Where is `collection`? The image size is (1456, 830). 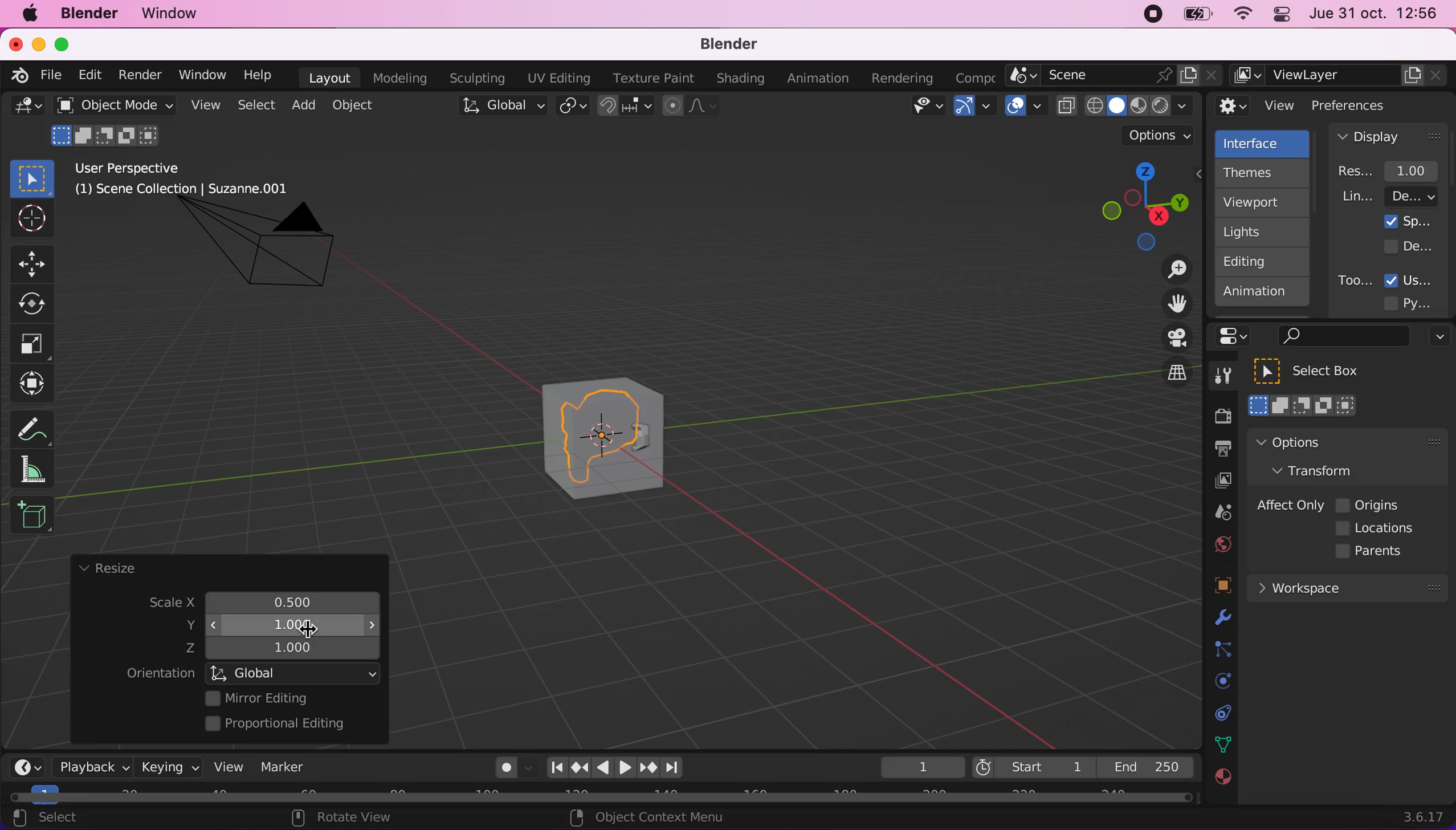
collection is located at coordinates (1220, 713).